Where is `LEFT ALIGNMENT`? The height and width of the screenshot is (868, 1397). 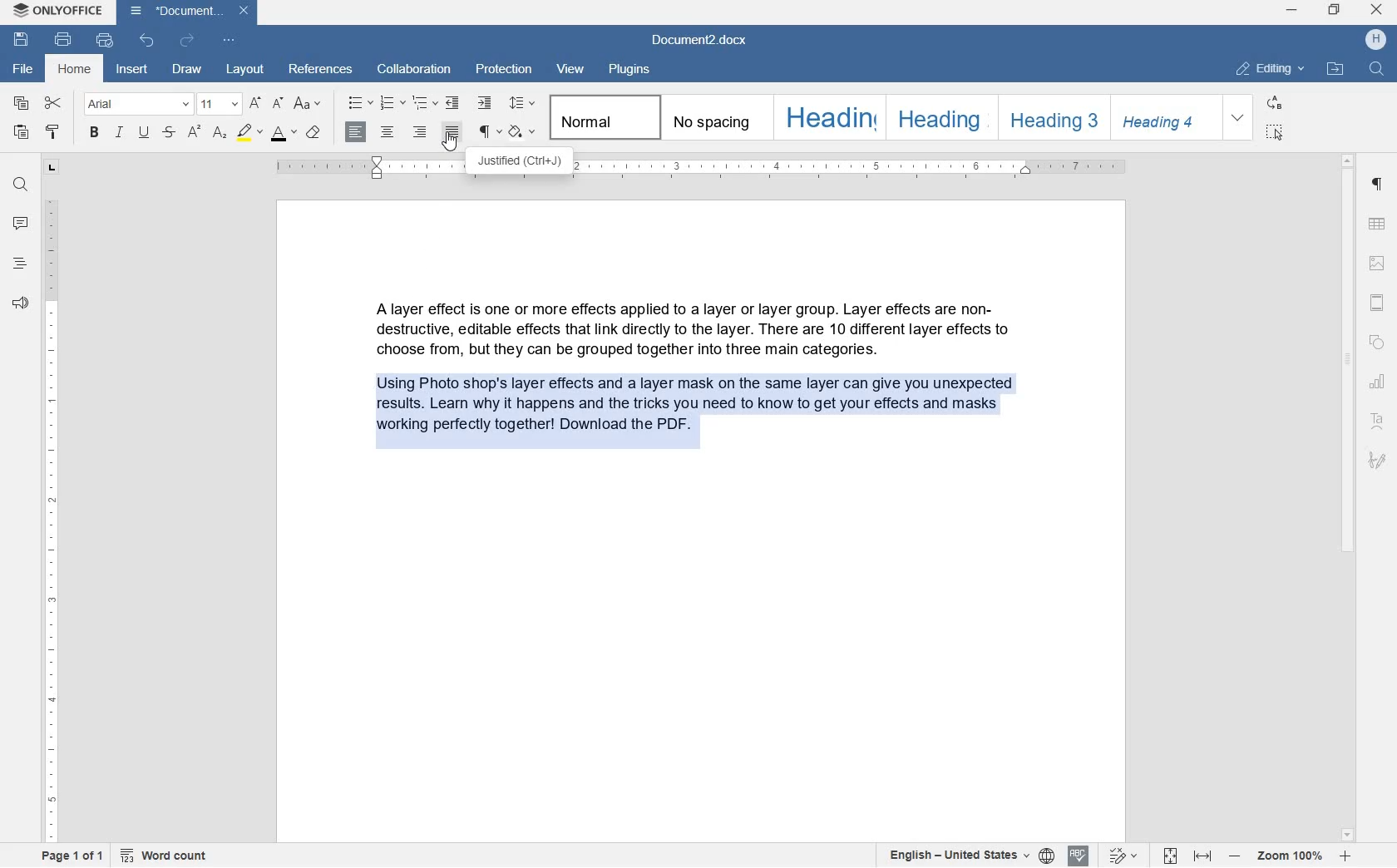
LEFT ALIGNMENT is located at coordinates (356, 133).